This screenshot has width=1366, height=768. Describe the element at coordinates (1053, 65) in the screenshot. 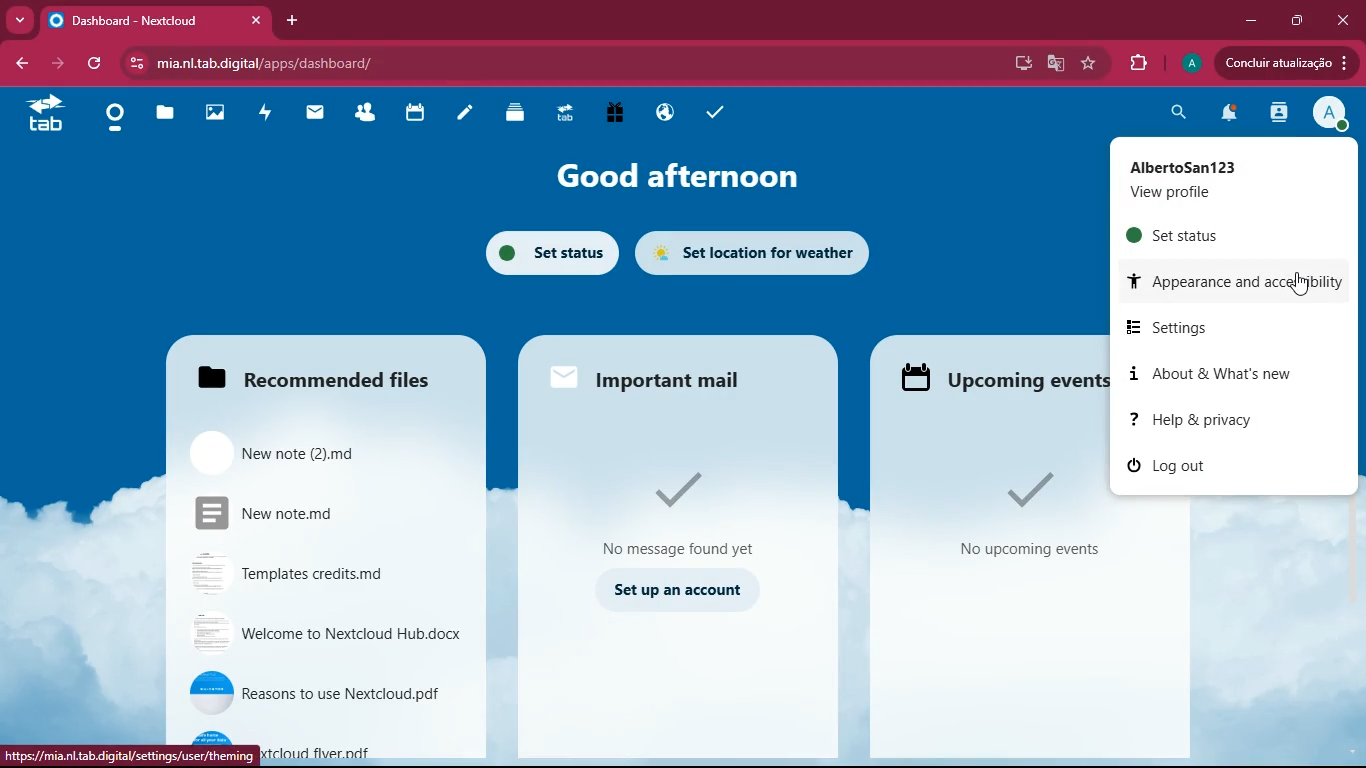

I see `google translate` at that location.